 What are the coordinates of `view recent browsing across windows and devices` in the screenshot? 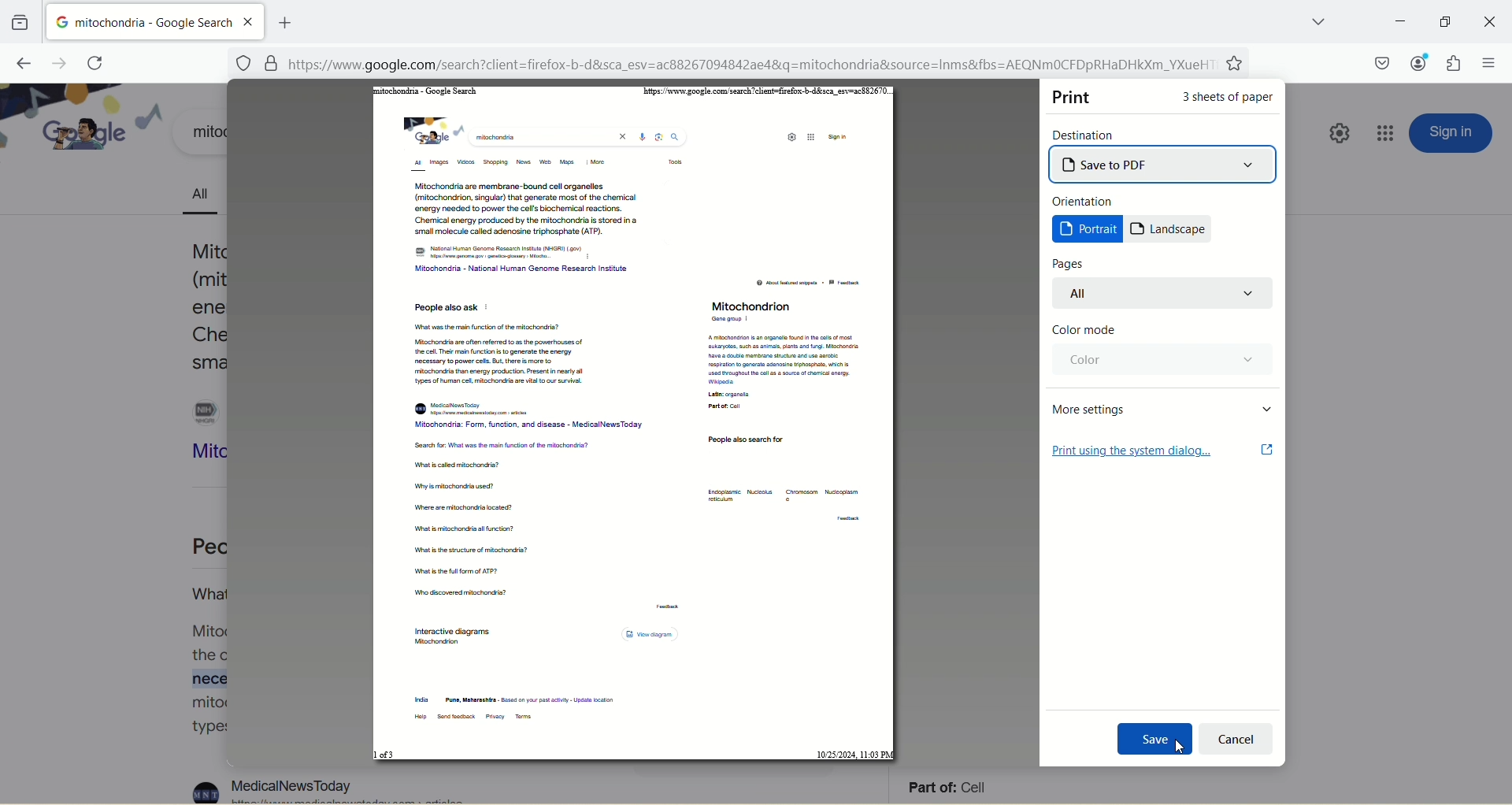 It's located at (20, 22).